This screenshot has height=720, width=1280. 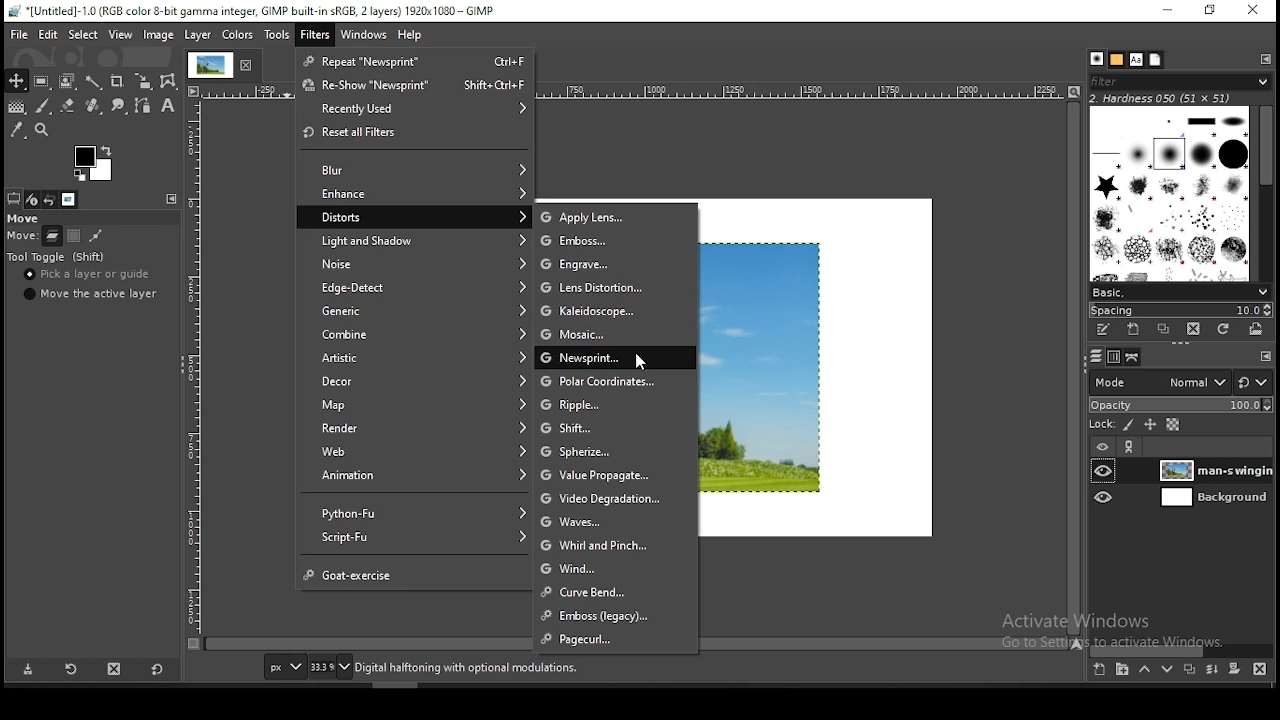 What do you see at coordinates (1212, 498) in the screenshot?
I see `layer` at bounding box center [1212, 498].